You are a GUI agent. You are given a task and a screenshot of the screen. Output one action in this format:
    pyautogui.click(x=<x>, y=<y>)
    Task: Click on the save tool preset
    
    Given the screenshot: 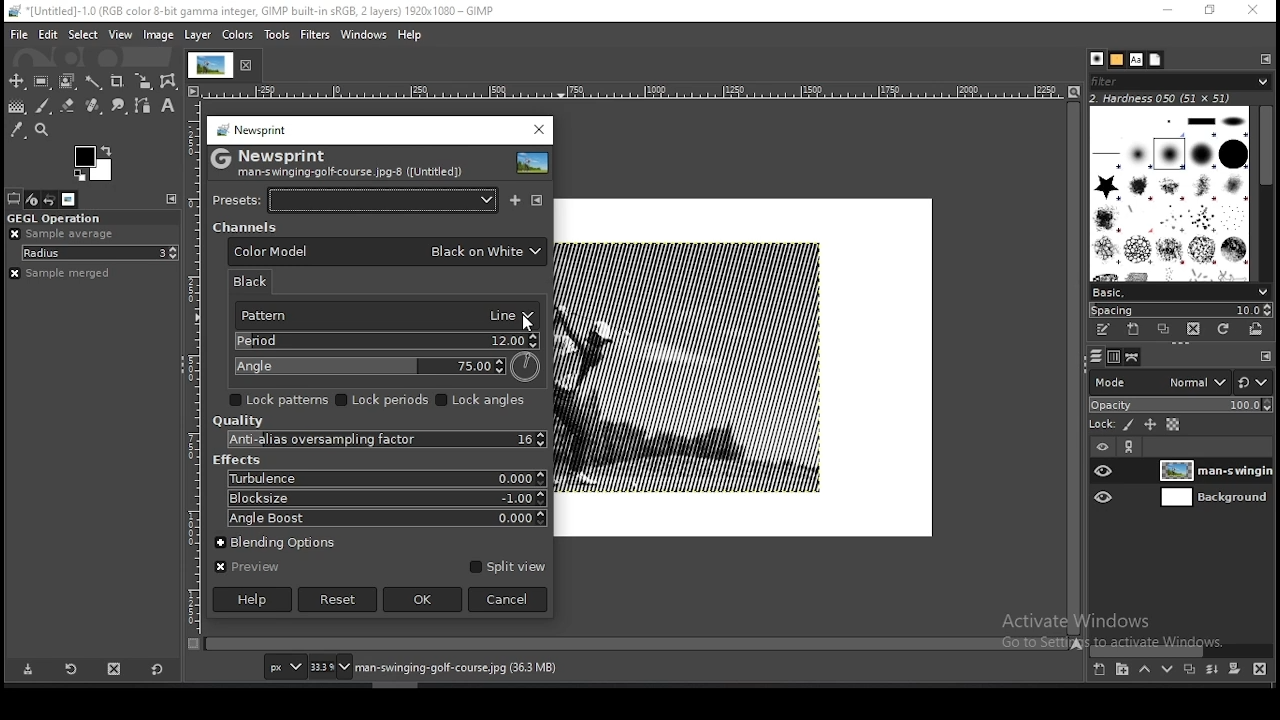 What is the action you would take?
    pyautogui.click(x=29, y=670)
    